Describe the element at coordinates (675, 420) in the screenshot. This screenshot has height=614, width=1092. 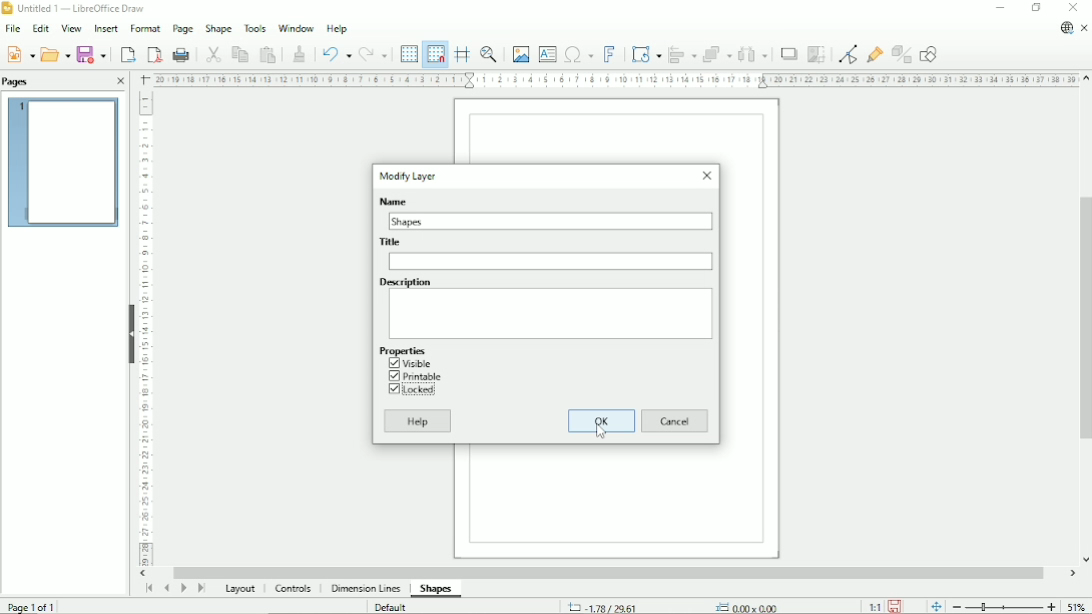
I see `Cancel` at that location.